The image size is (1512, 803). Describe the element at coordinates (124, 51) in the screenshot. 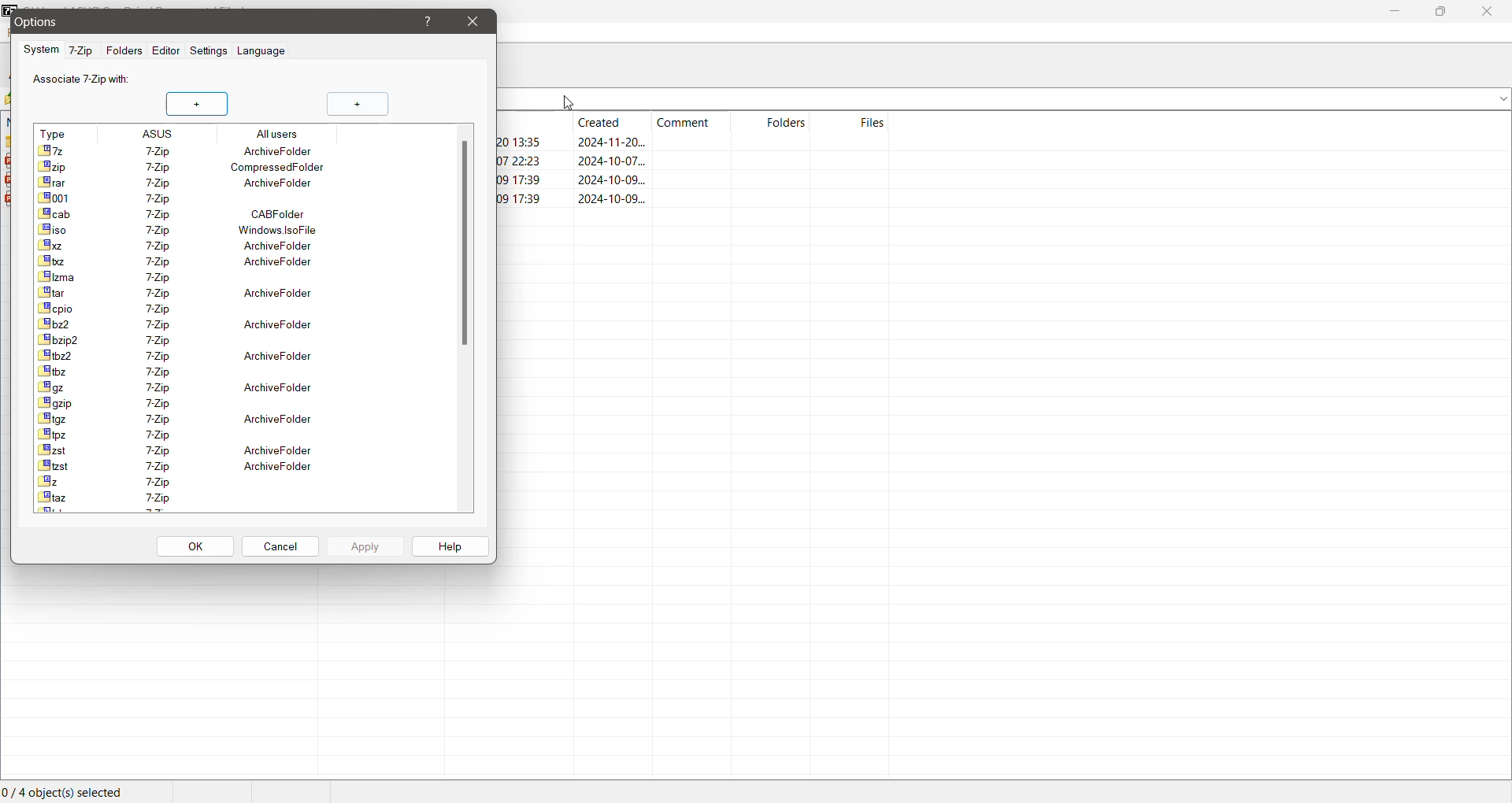

I see `Folders` at that location.